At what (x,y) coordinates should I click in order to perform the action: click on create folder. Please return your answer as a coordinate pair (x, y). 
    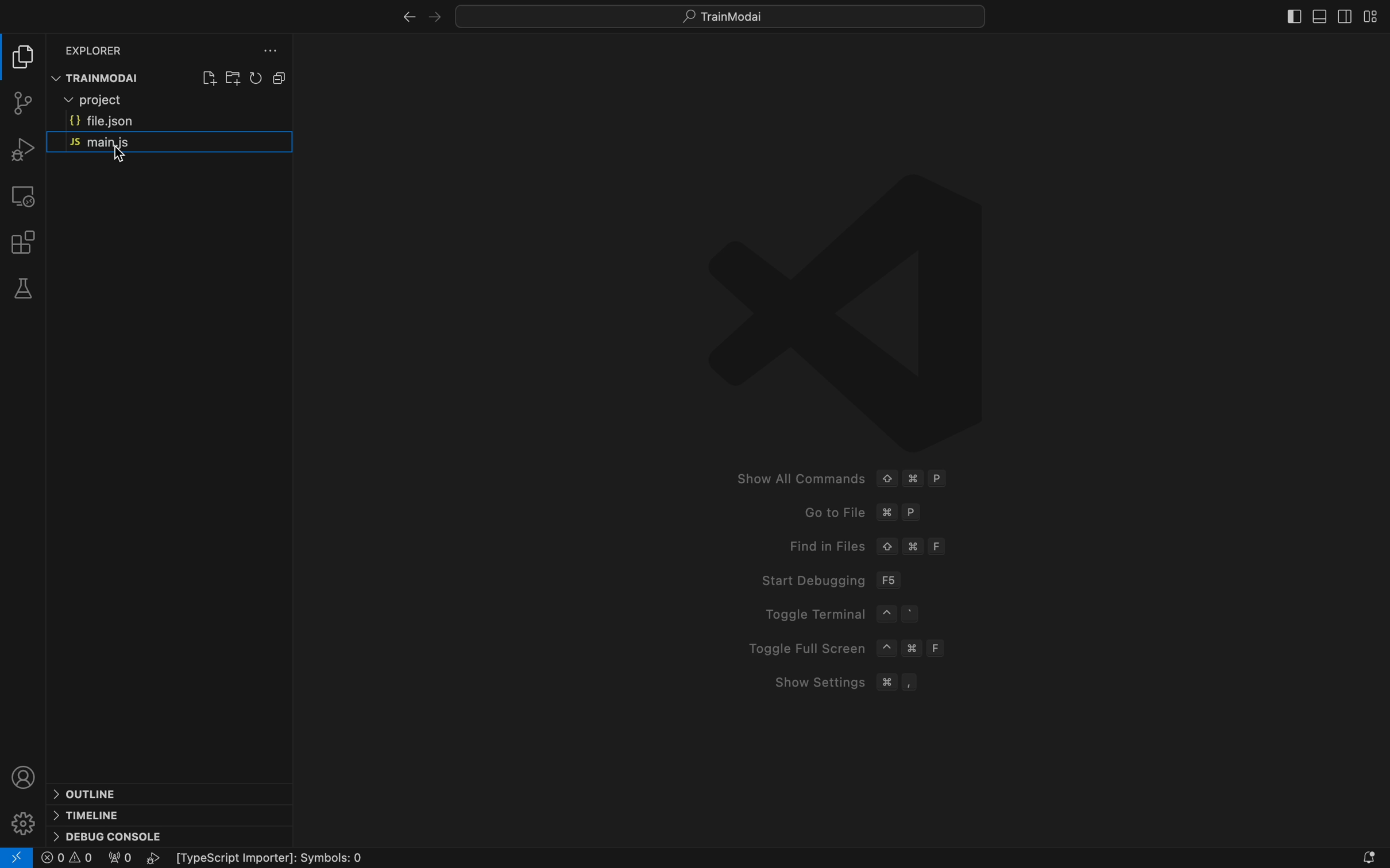
    Looking at the image, I should click on (232, 78).